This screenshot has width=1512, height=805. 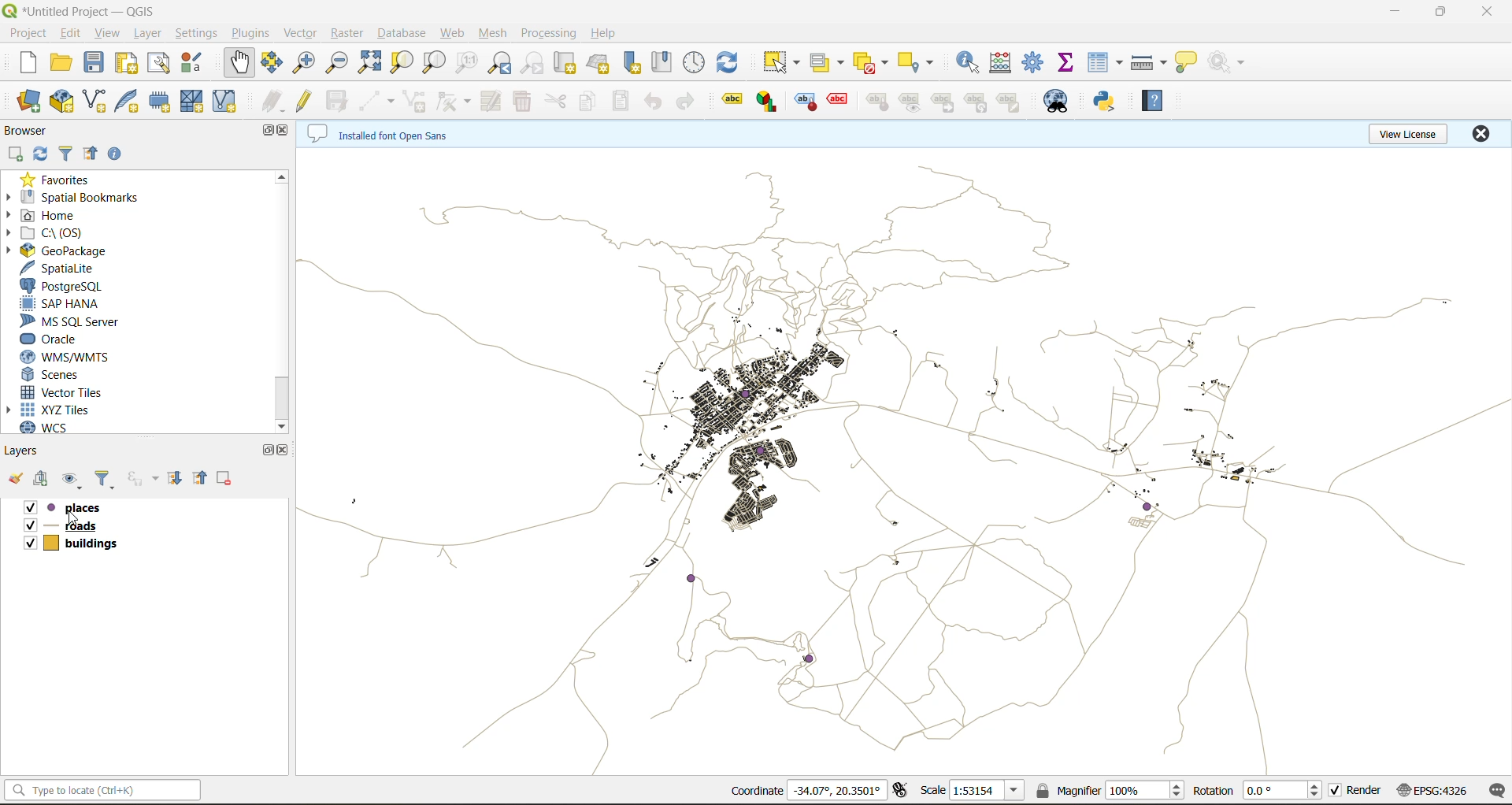 What do you see at coordinates (272, 451) in the screenshot?
I see `maximize` at bounding box center [272, 451].